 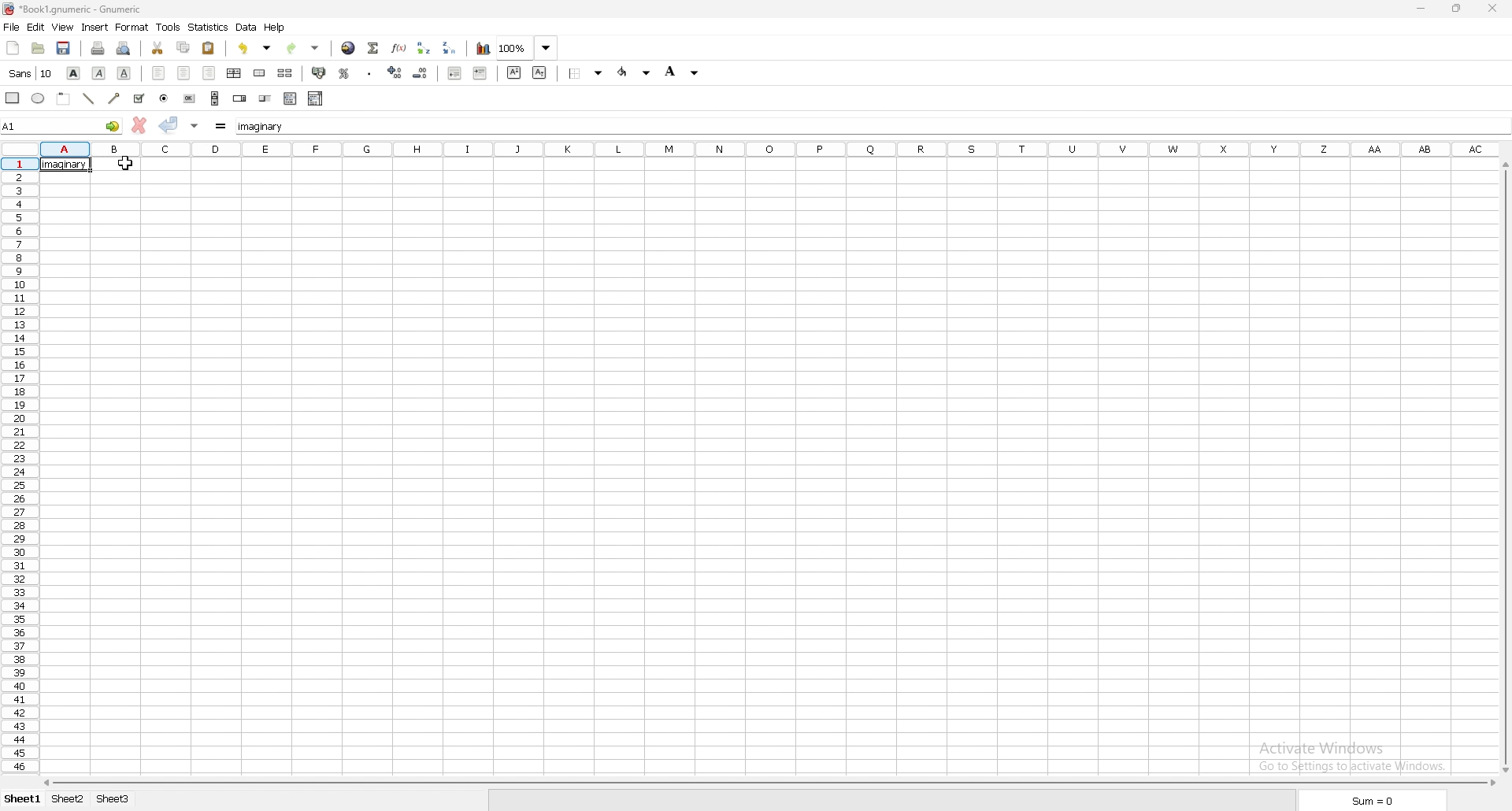 What do you see at coordinates (1456, 9) in the screenshot?
I see `resize` at bounding box center [1456, 9].